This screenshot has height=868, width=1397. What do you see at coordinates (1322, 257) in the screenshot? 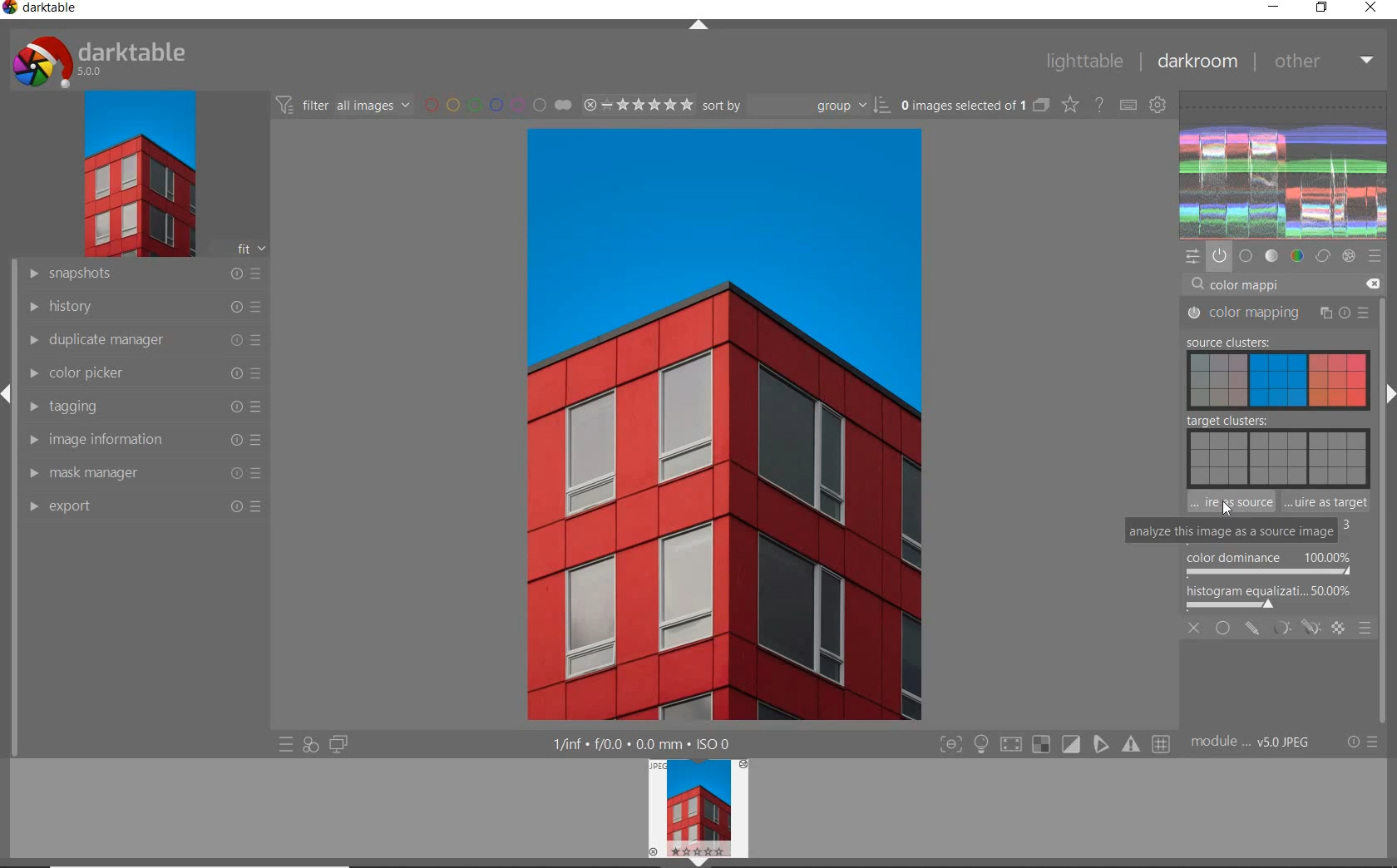
I see `correct ` at bounding box center [1322, 257].